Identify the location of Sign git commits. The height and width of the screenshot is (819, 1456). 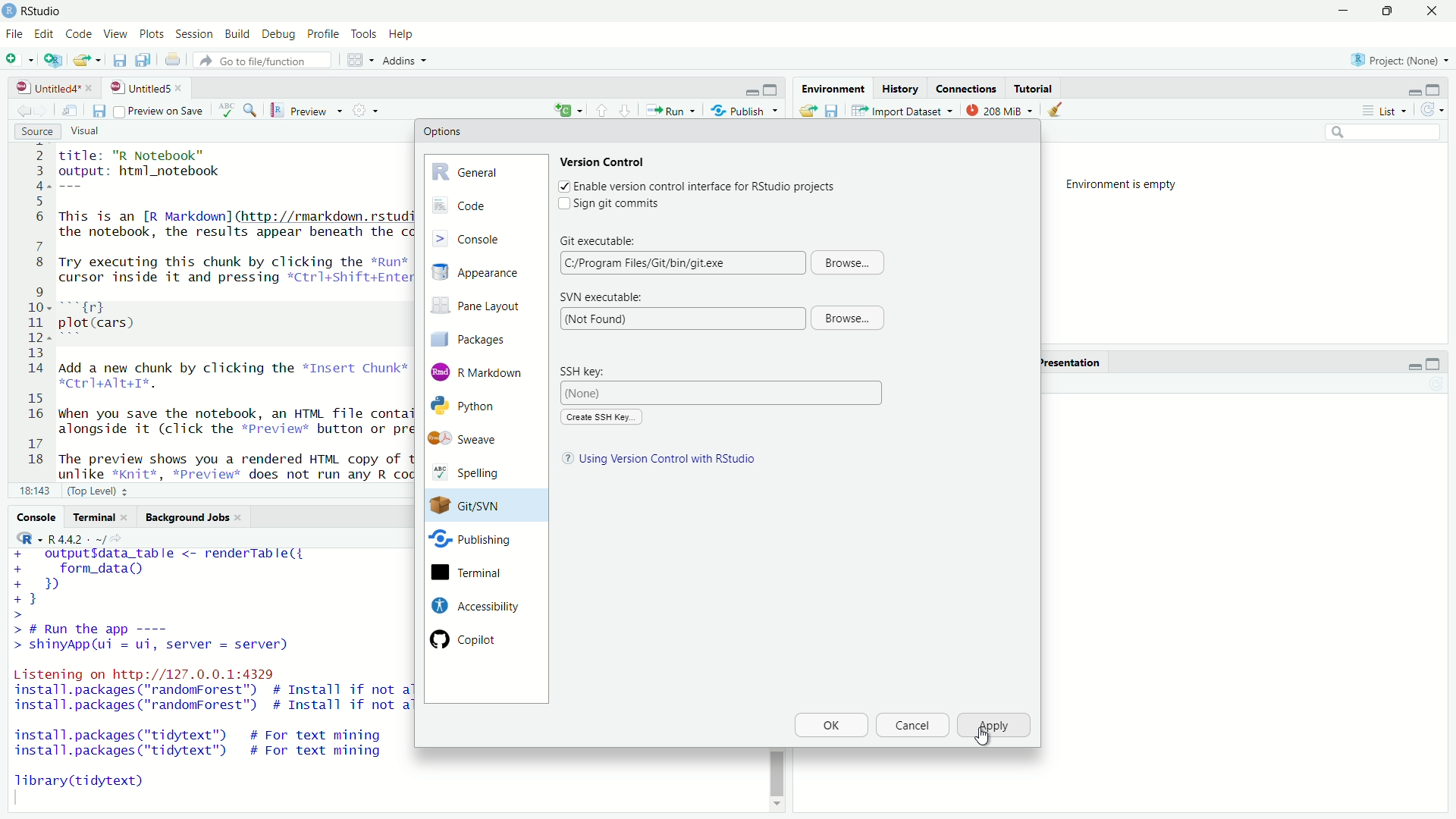
(623, 204).